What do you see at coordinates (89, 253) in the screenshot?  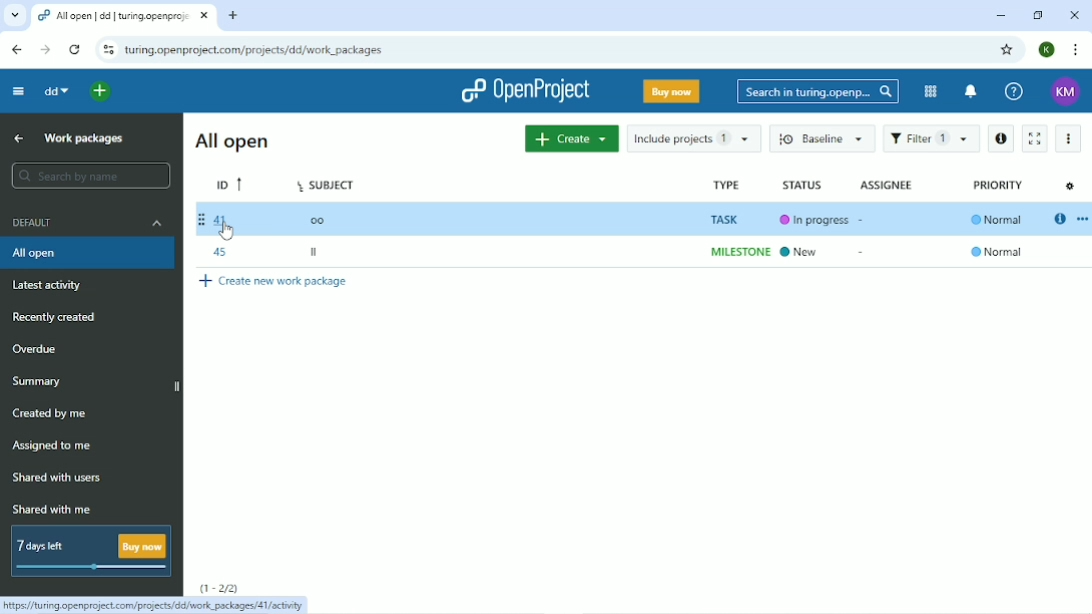 I see `All open` at bounding box center [89, 253].